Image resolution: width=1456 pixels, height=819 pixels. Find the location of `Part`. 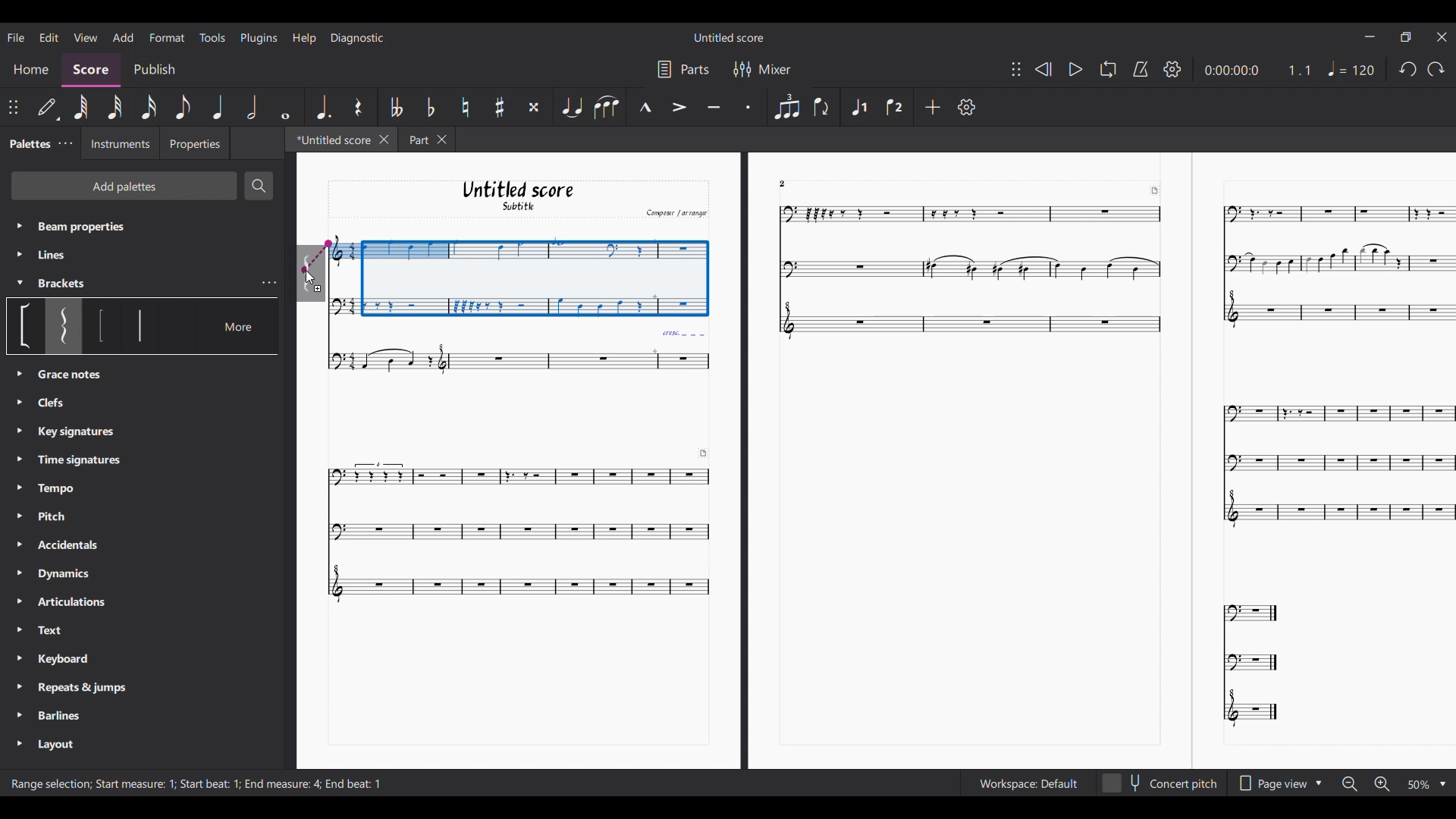

Part is located at coordinates (416, 139).